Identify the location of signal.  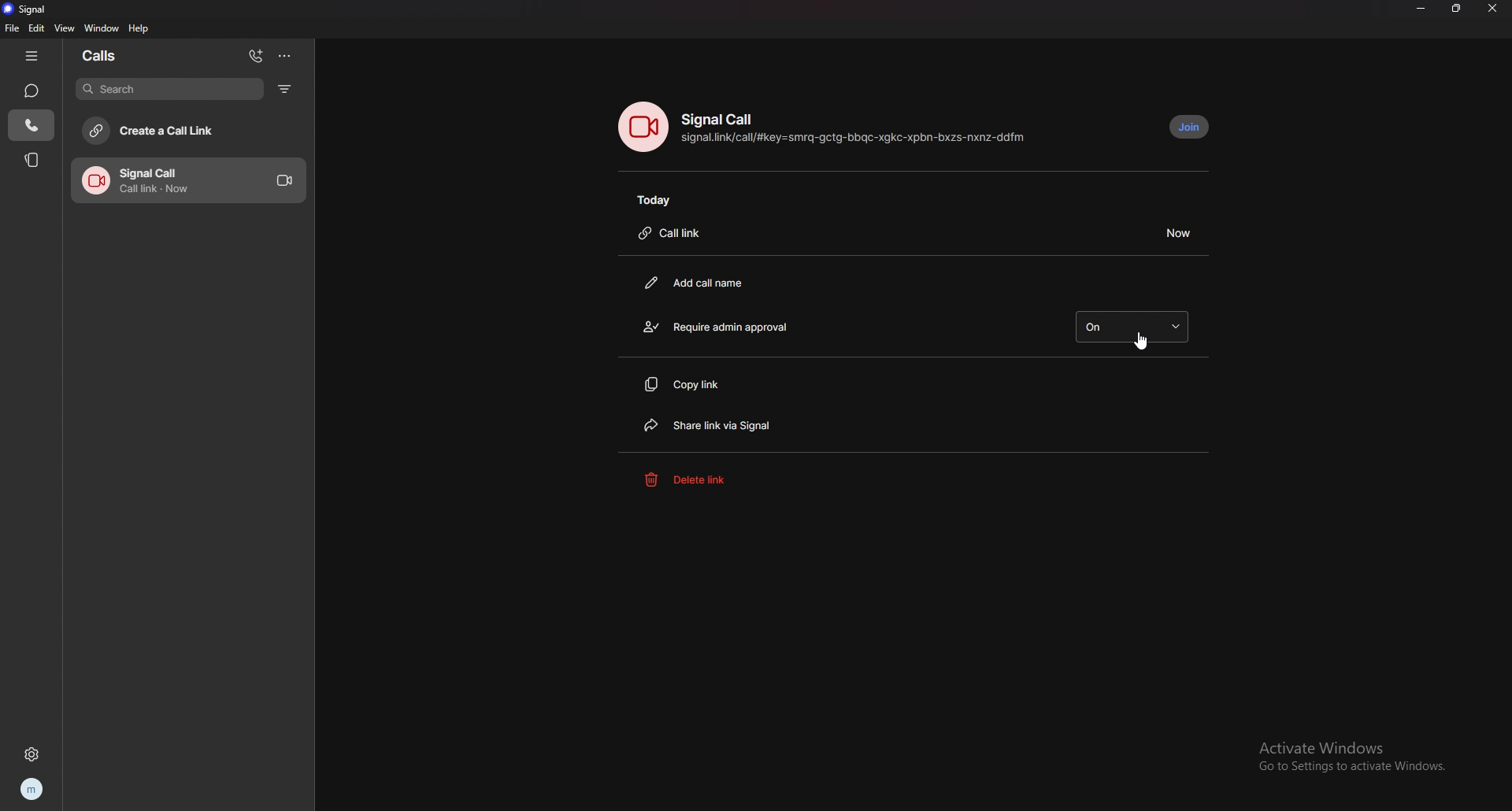
(31, 9).